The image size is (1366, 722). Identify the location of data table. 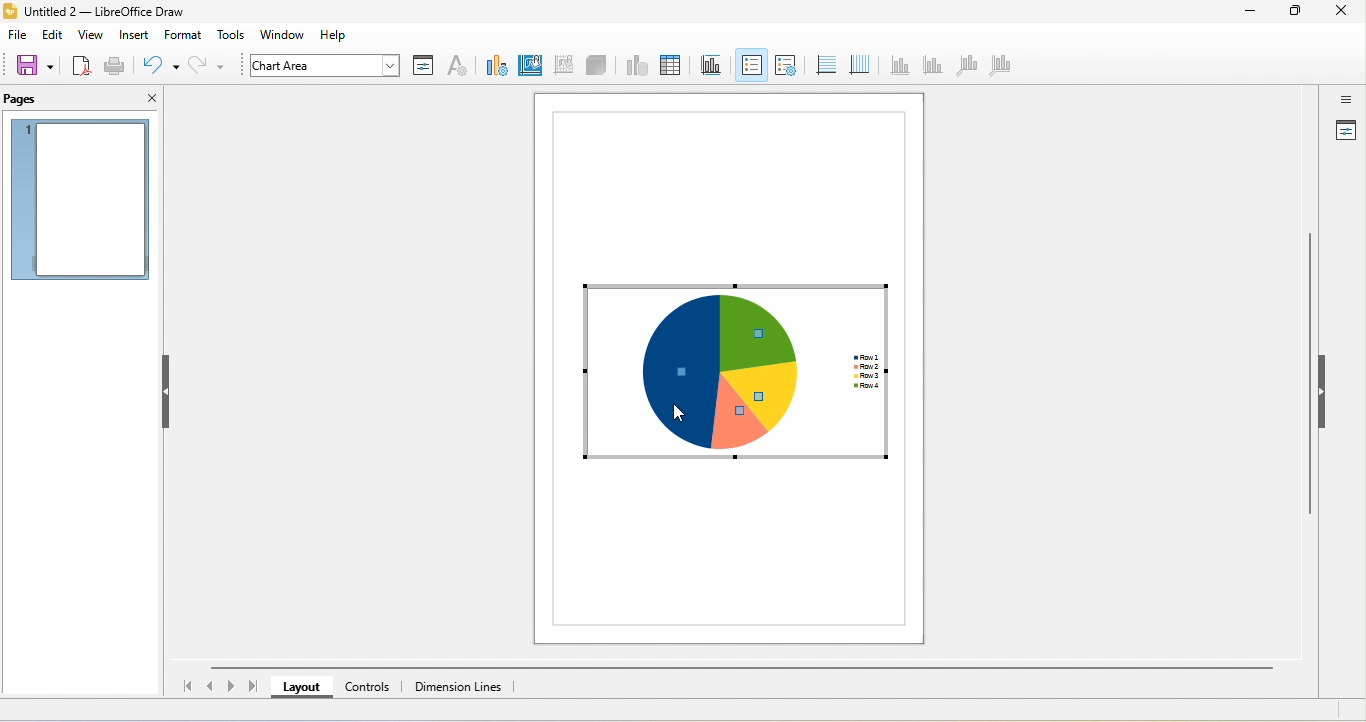
(669, 66).